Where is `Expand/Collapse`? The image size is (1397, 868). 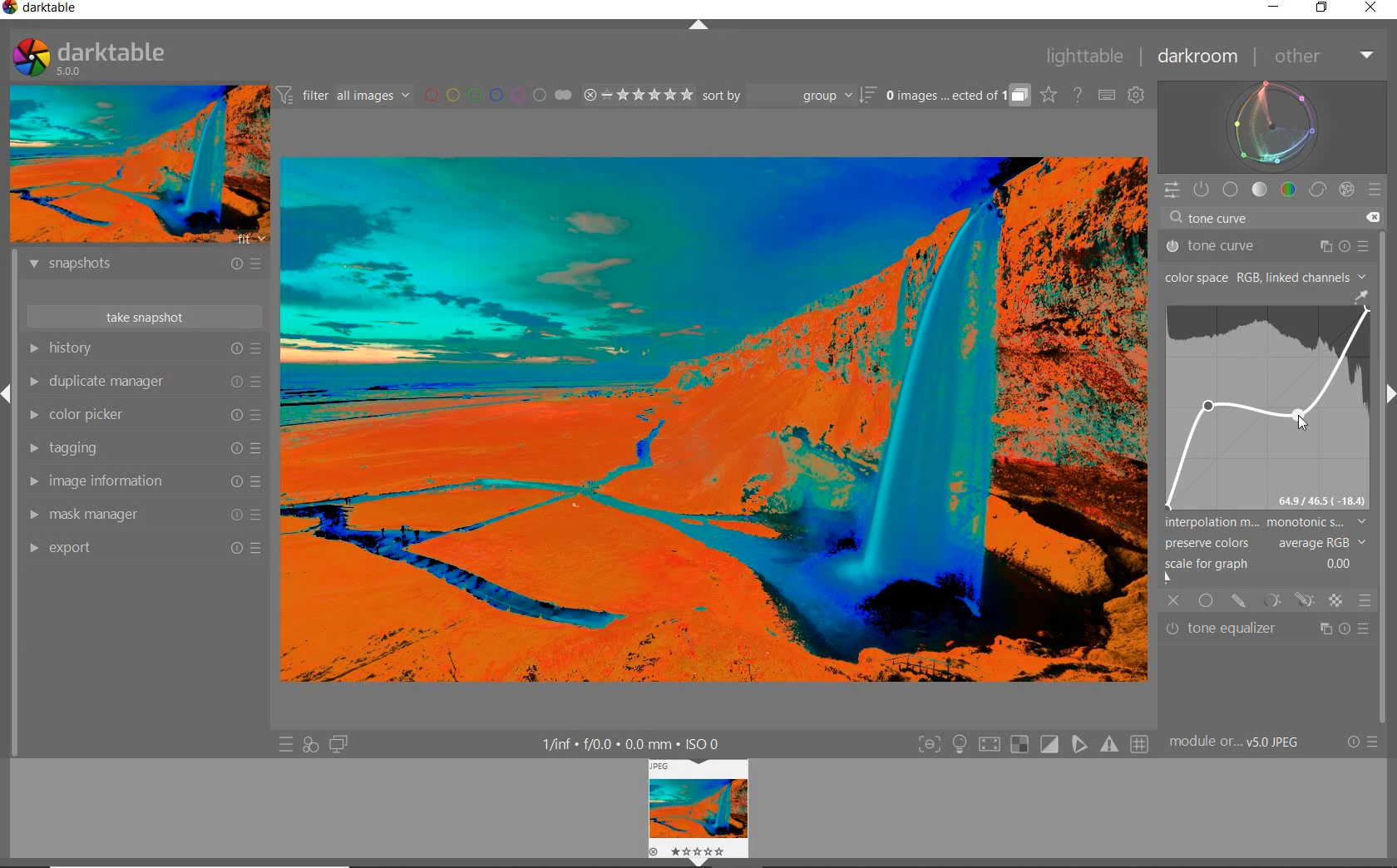 Expand/Collapse is located at coordinates (8, 397).